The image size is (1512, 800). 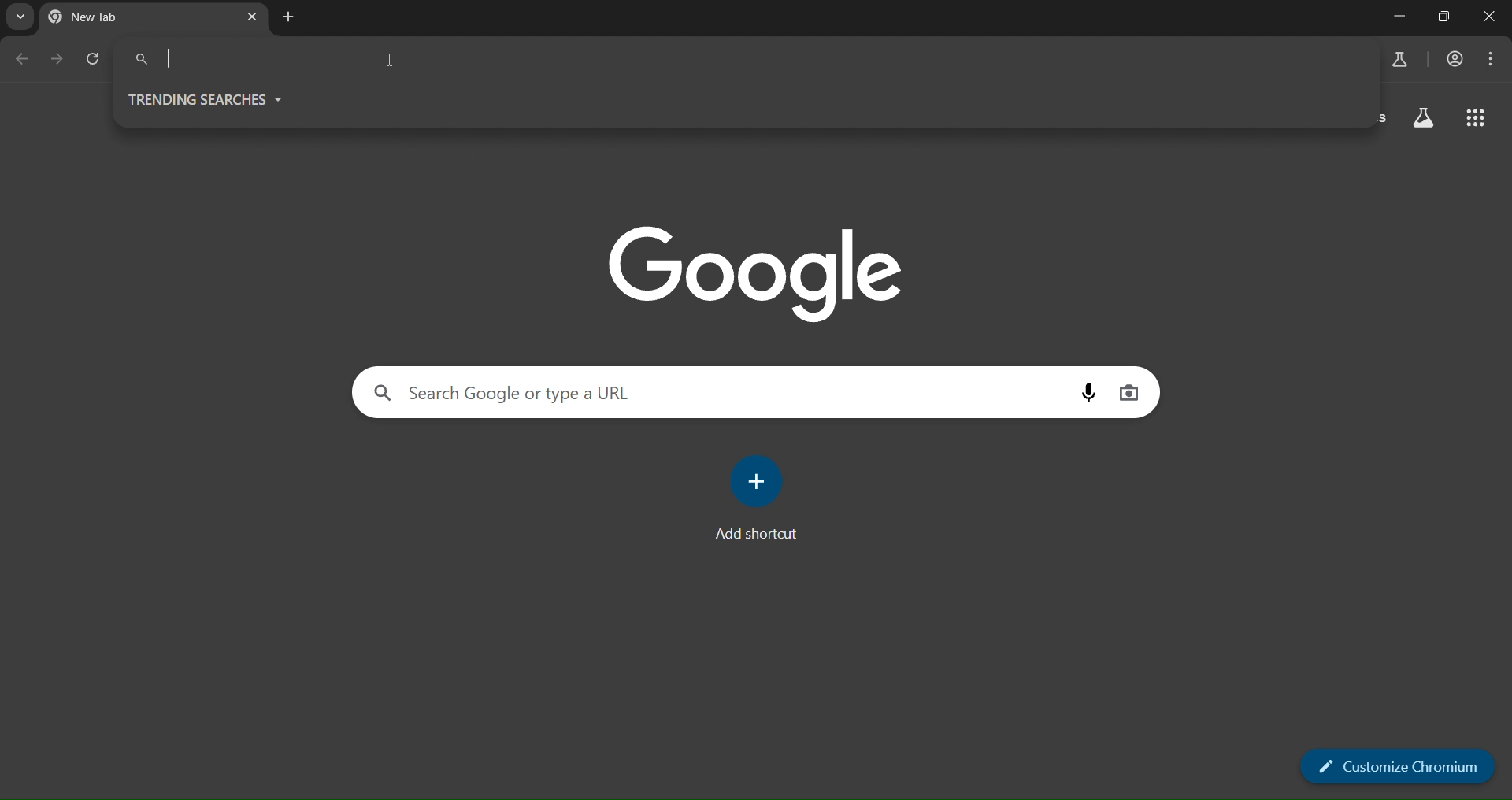 I want to click on menu, so click(x=1495, y=59).